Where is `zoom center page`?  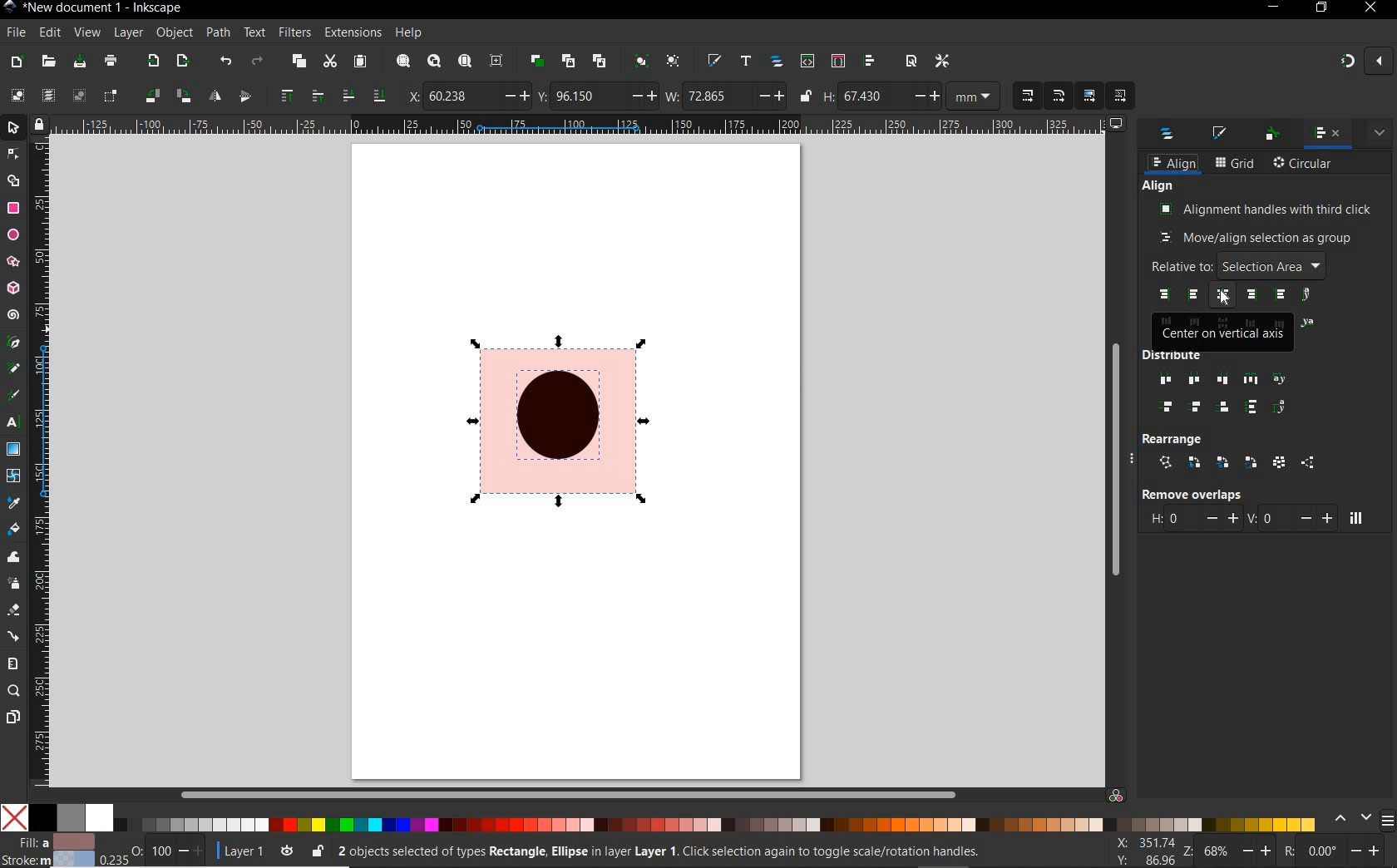
zoom center page is located at coordinates (496, 61).